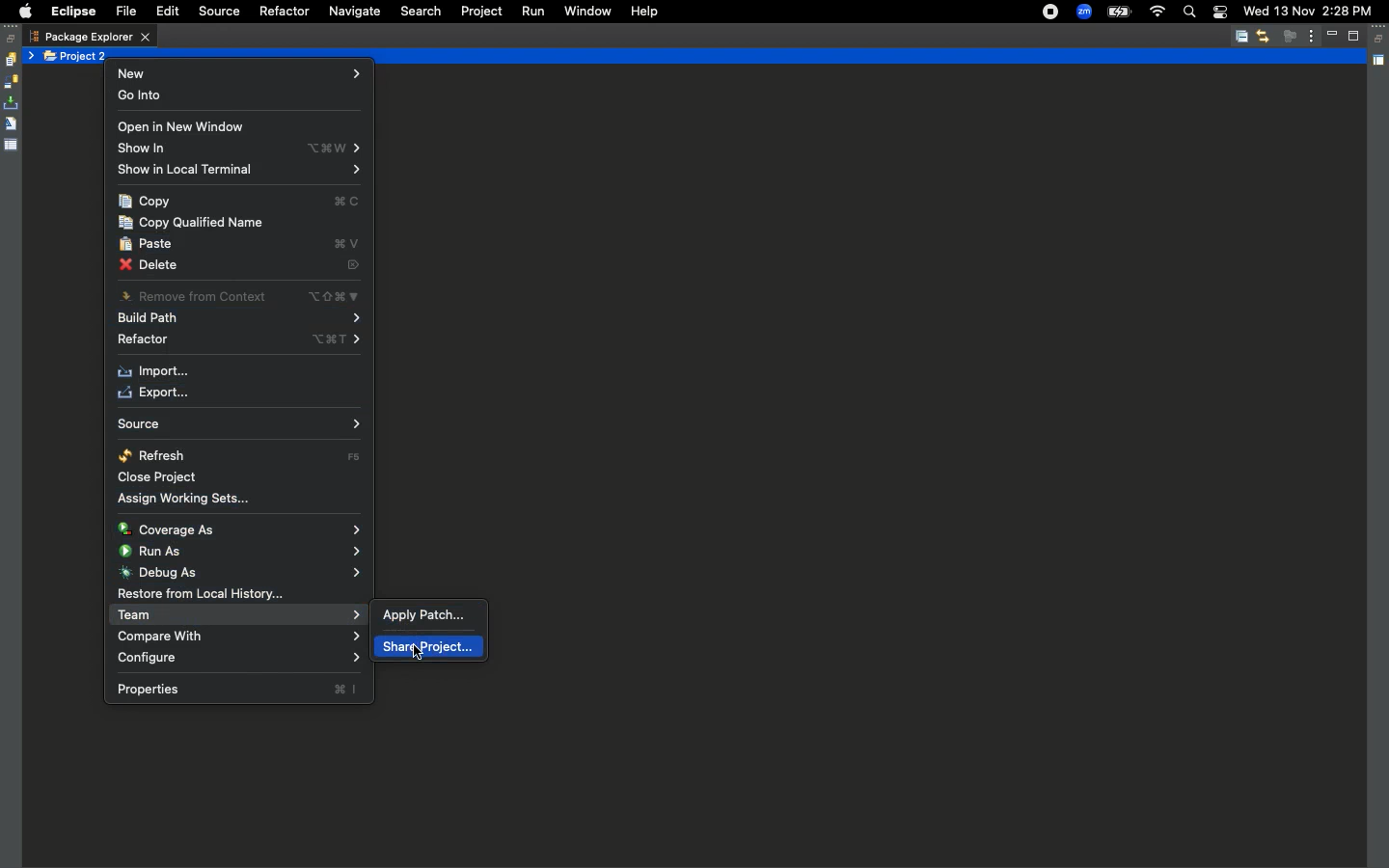  I want to click on Synchronize, so click(11, 82).